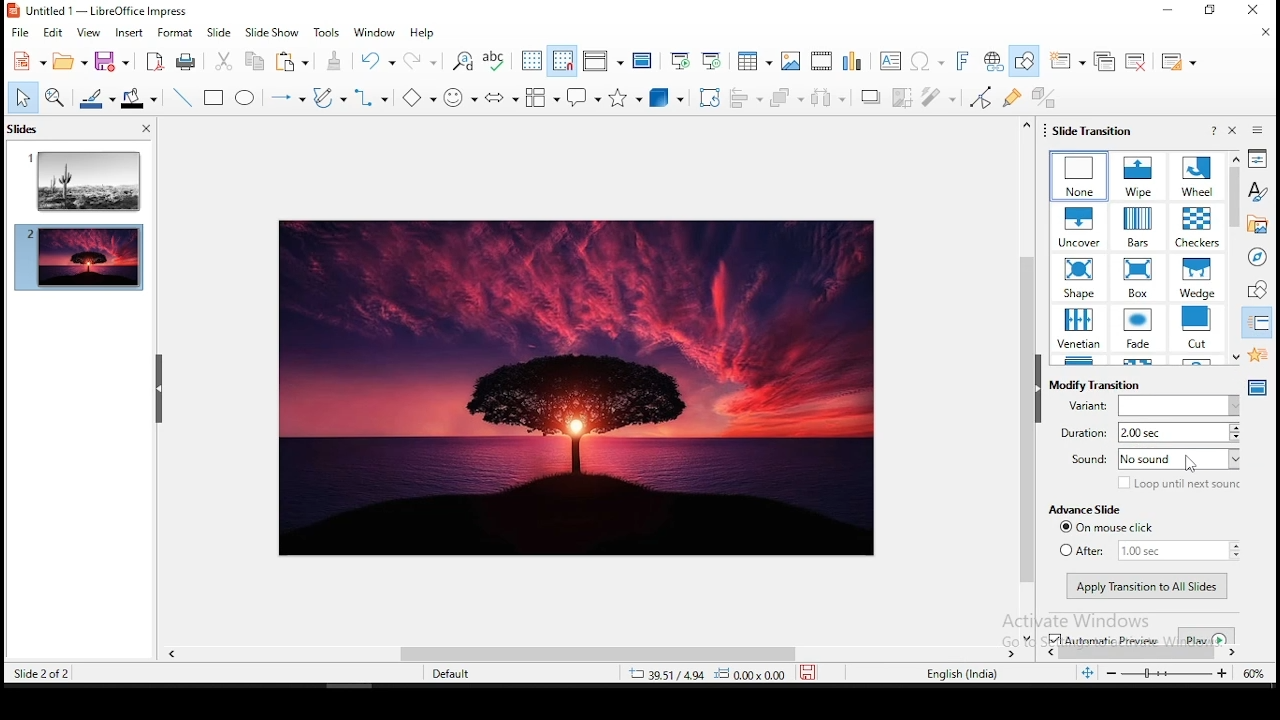  Describe the element at coordinates (1043, 96) in the screenshot. I see `toggle extrusiuon` at that location.